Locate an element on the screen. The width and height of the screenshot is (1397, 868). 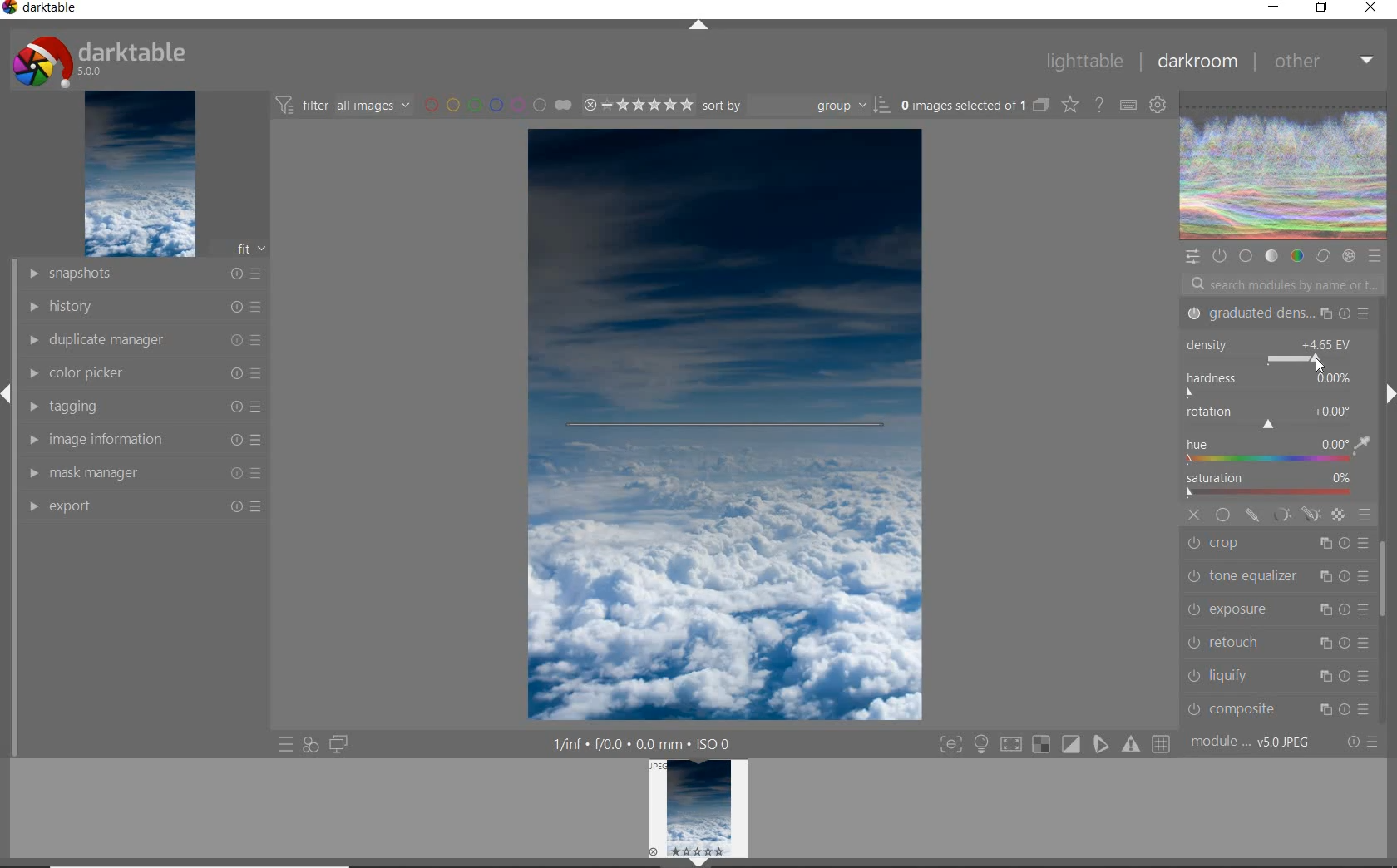
CORRECT is located at coordinates (1322, 255).